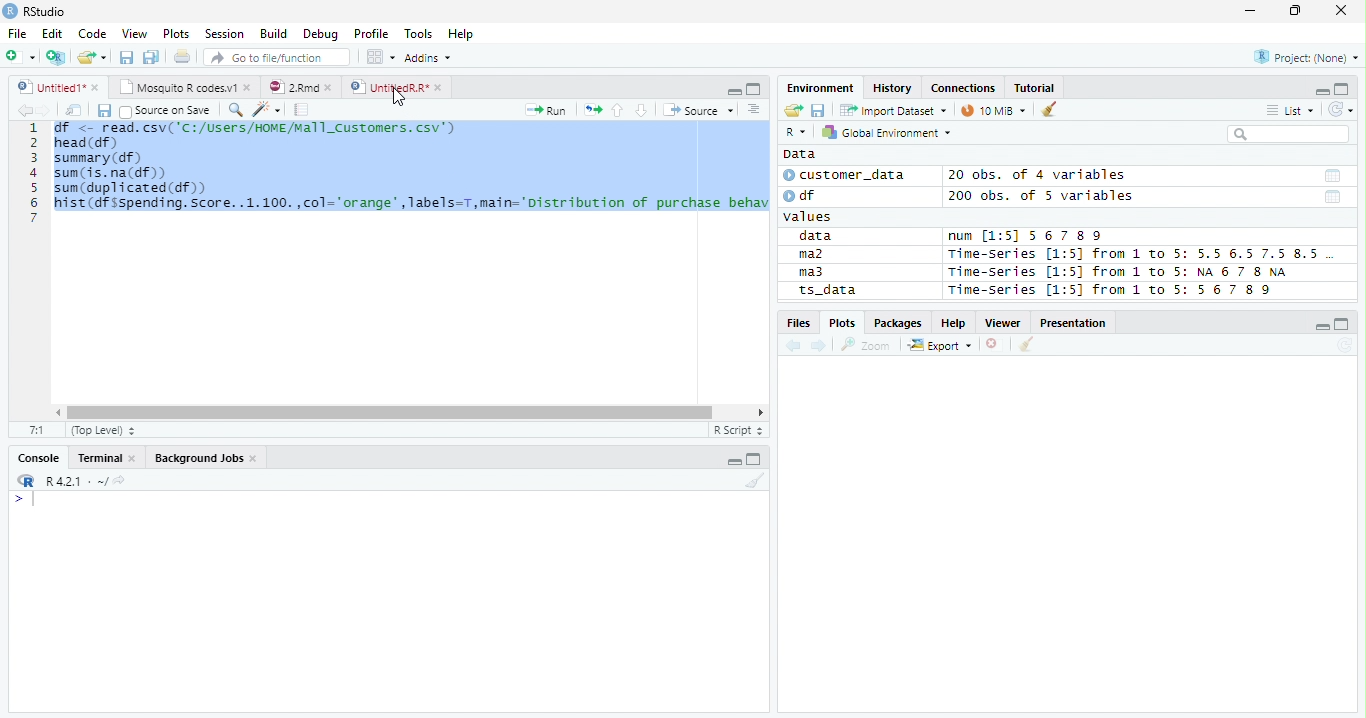 Image resolution: width=1366 pixels, height=718 pixels. I want to click on UnititledR.R, so click(398, 88).